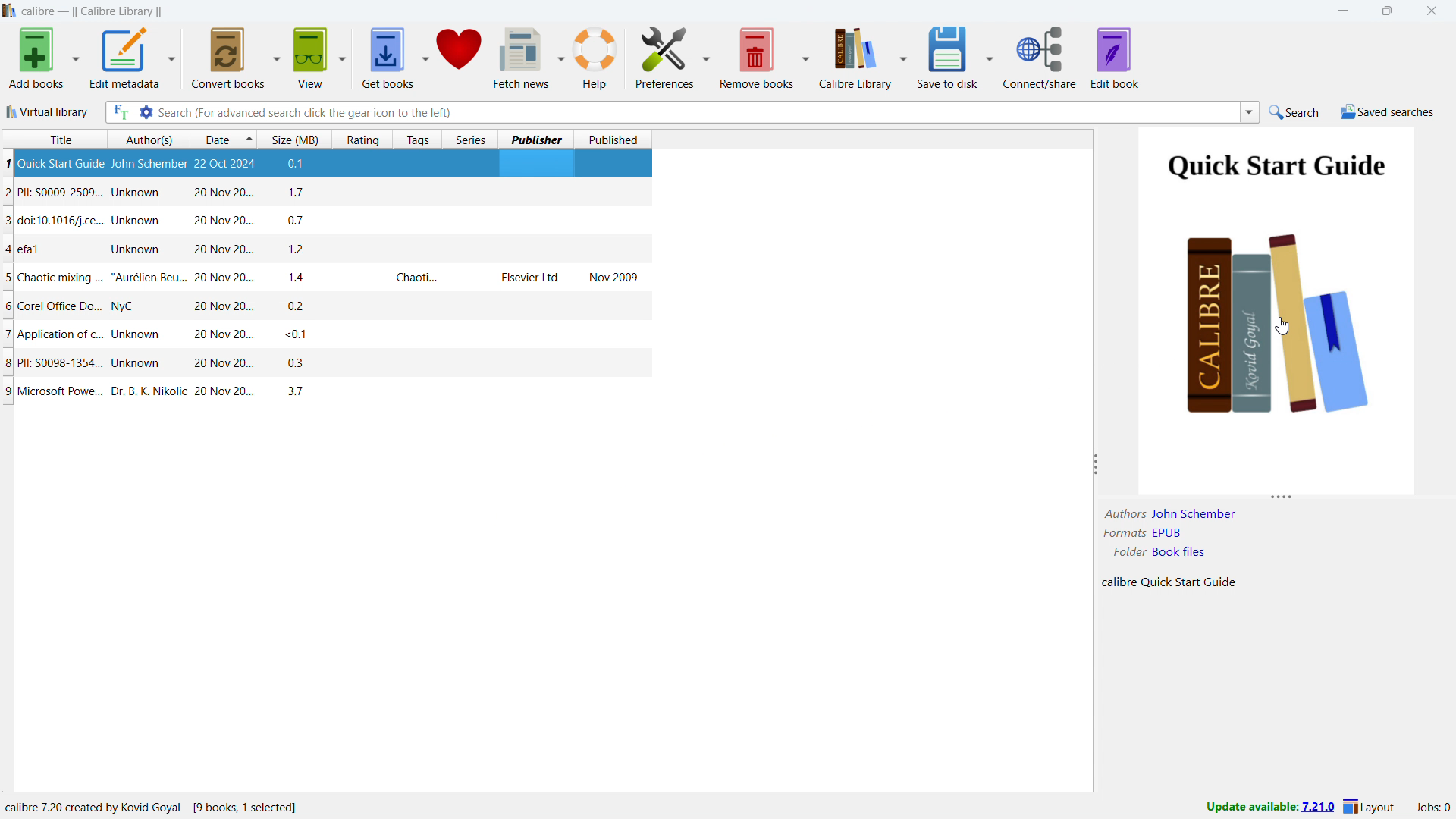 Image resolution: width=1456 pixels, height=819 pixels. What do you see at coordinates (299, 219) in the screenshot?
I see `0.7` at bounding box center [299, 219].